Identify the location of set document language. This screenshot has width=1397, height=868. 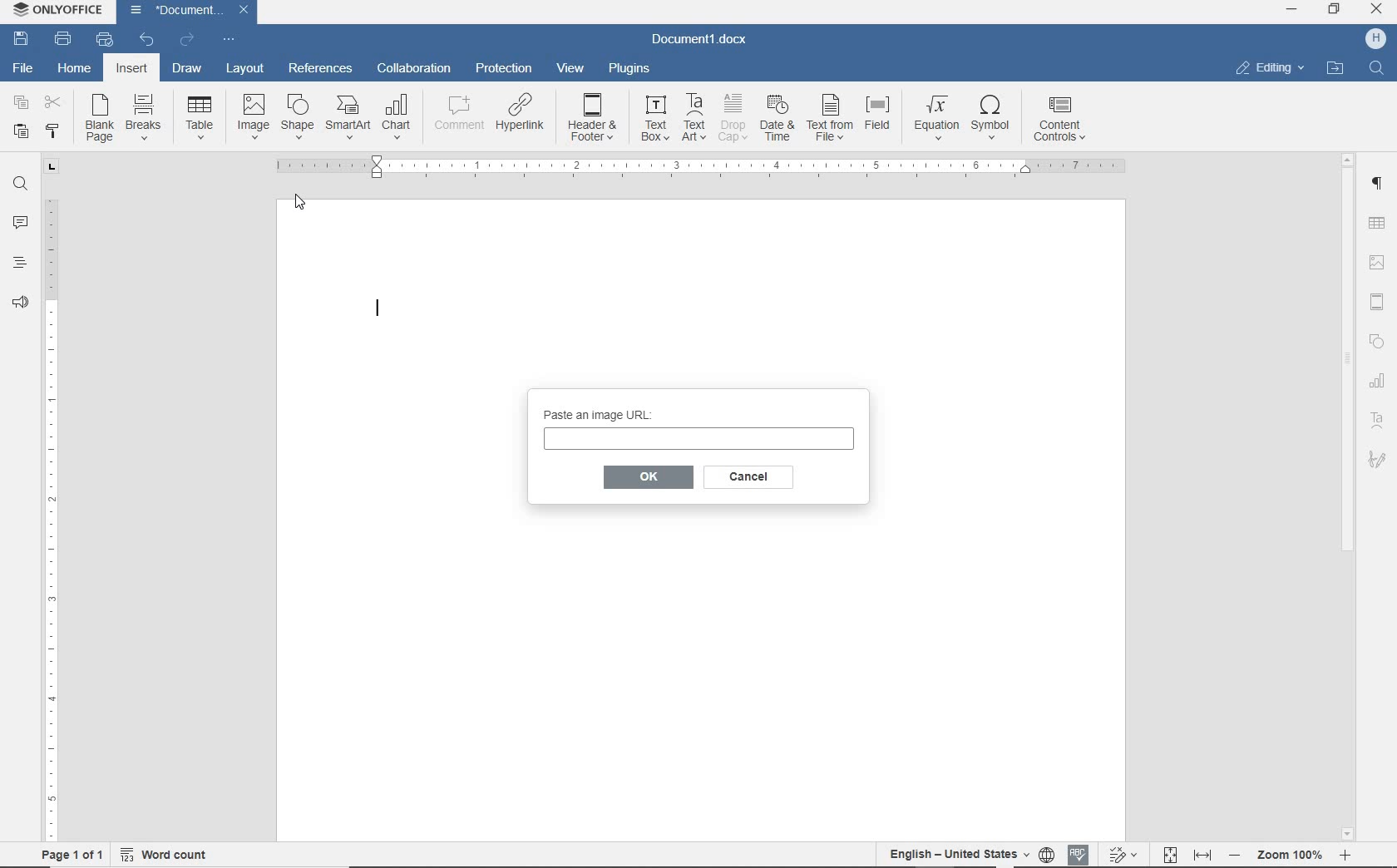
(1045, 855).